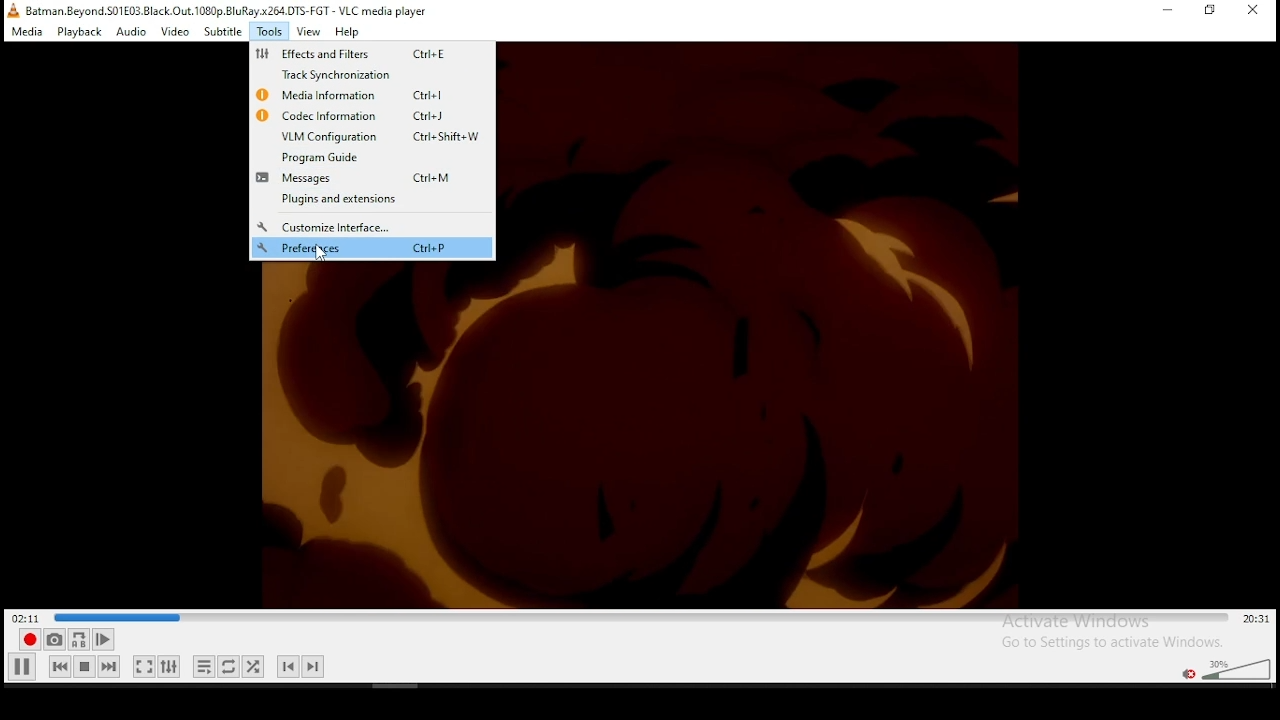 Image resolution: width=1280 pixels, height=720 pixels. Describe the element at coordinates (1238, 667) in the screenshot. I see `volume` at that location.